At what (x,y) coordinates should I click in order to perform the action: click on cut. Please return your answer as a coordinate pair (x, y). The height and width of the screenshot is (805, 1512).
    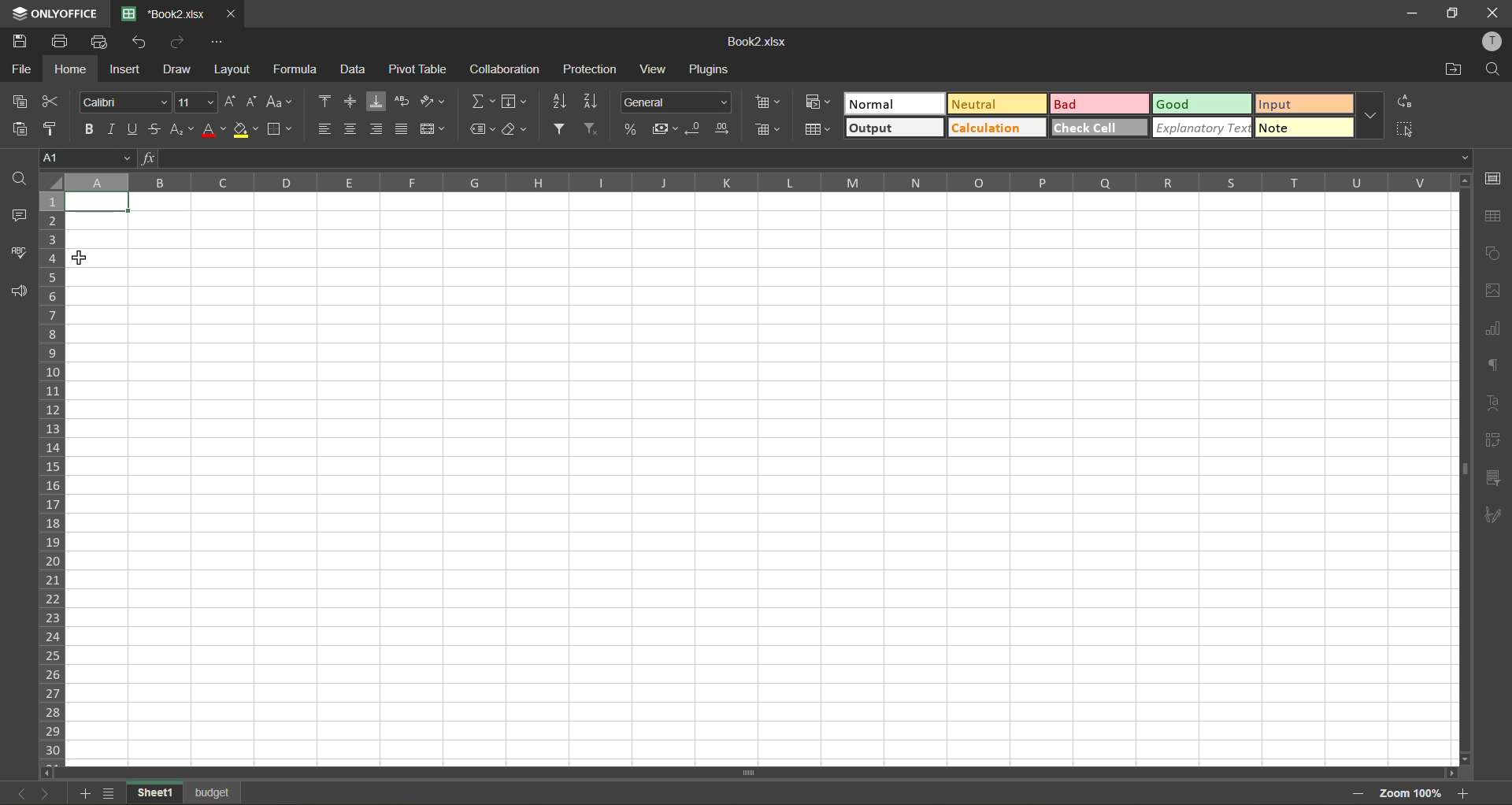
    Looking at the image, I should click on (55, 101).